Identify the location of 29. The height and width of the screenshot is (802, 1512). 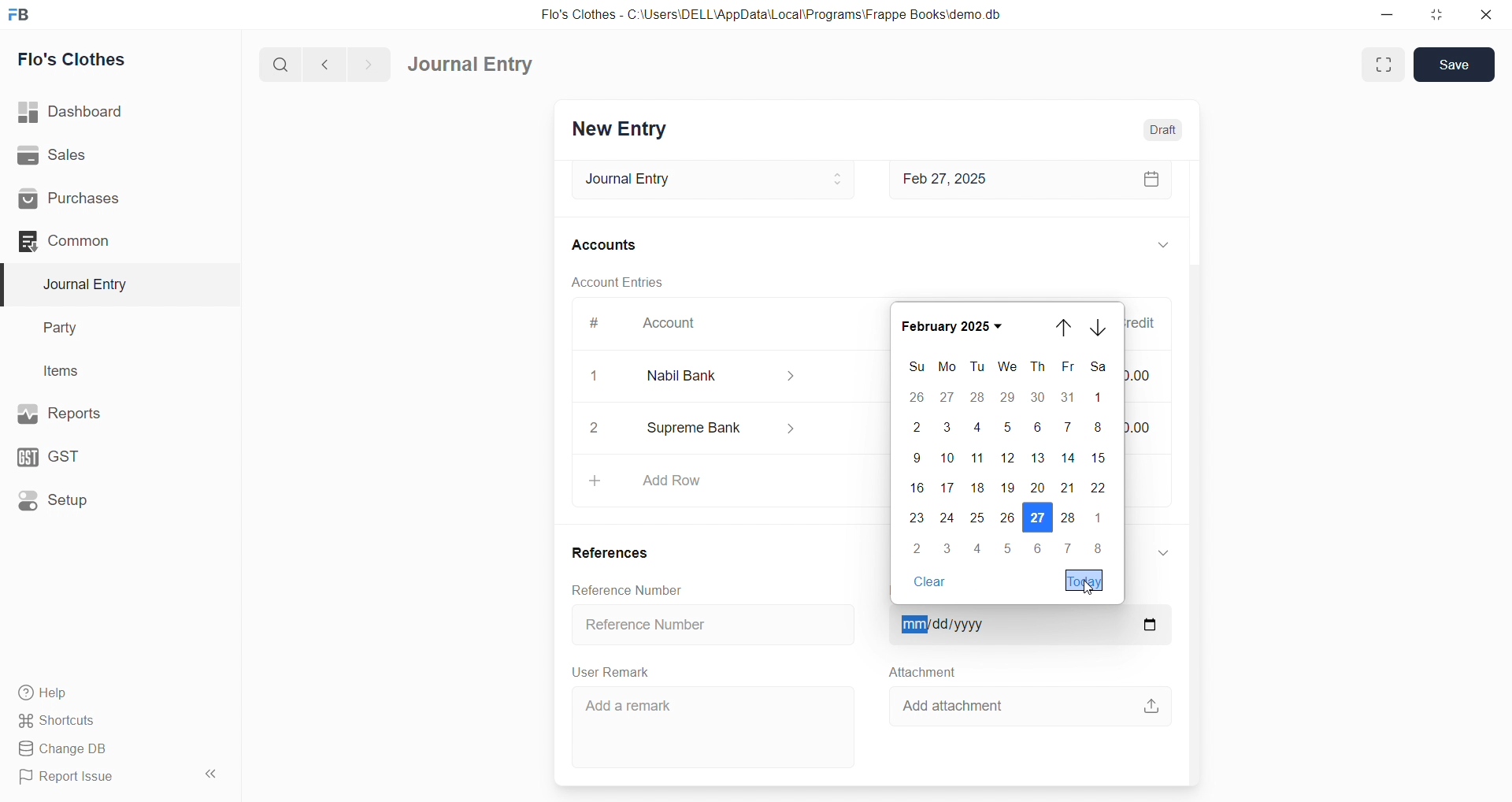
(1007, 397).